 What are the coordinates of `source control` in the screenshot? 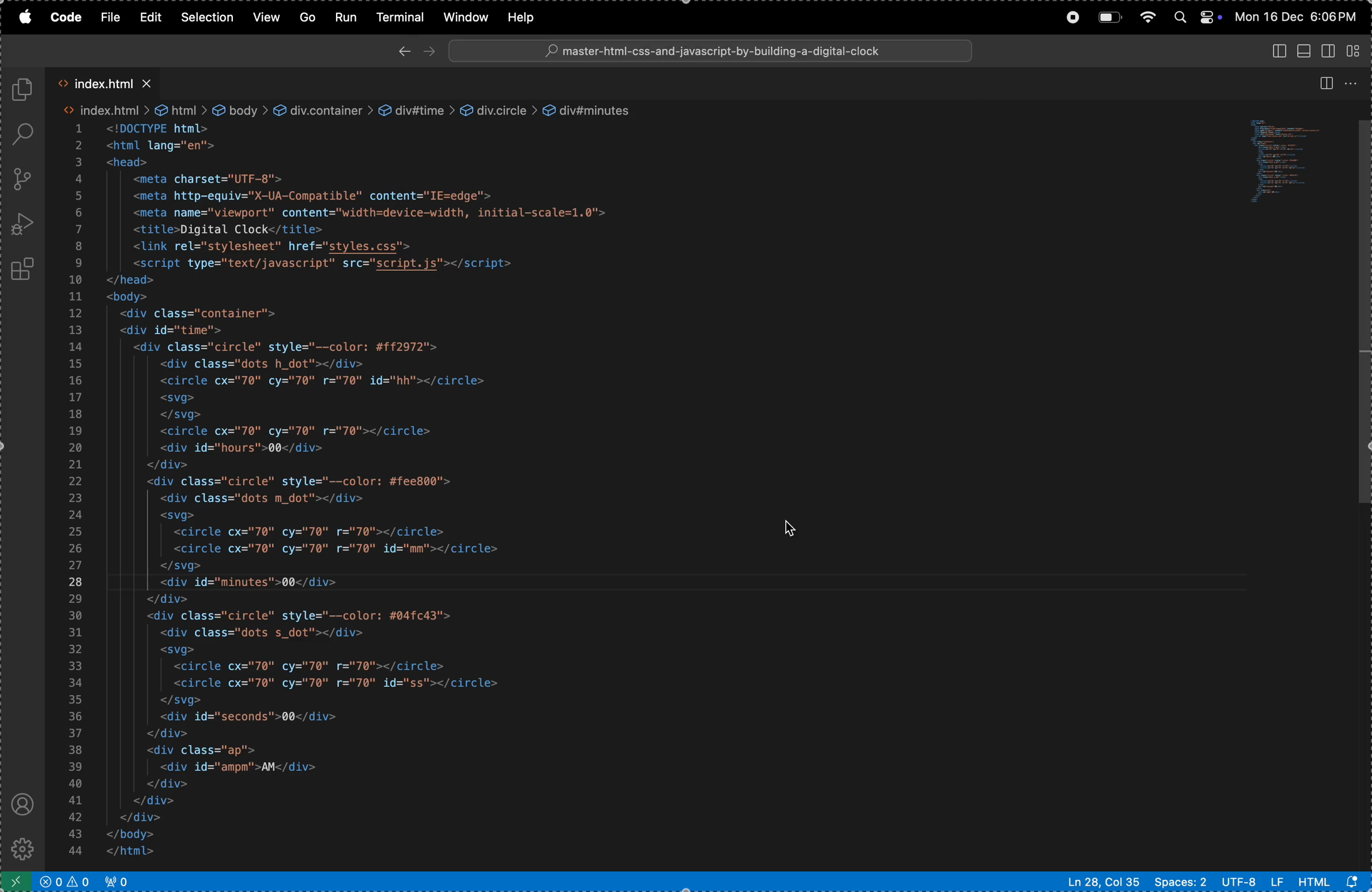 It's located at (25, 179).